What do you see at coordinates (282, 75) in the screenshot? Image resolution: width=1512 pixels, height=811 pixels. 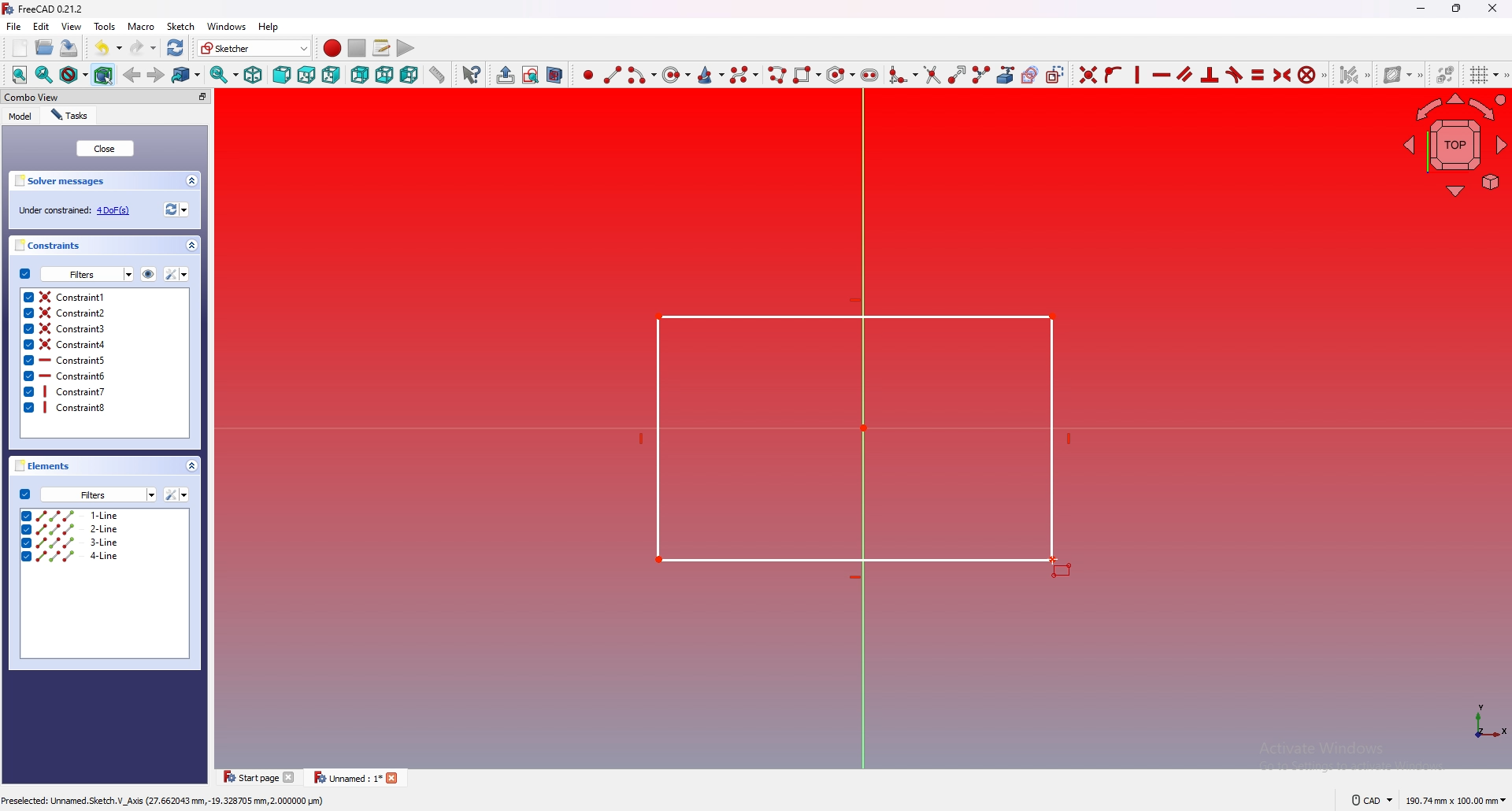 I see `front` at bounding box center [282, 75].